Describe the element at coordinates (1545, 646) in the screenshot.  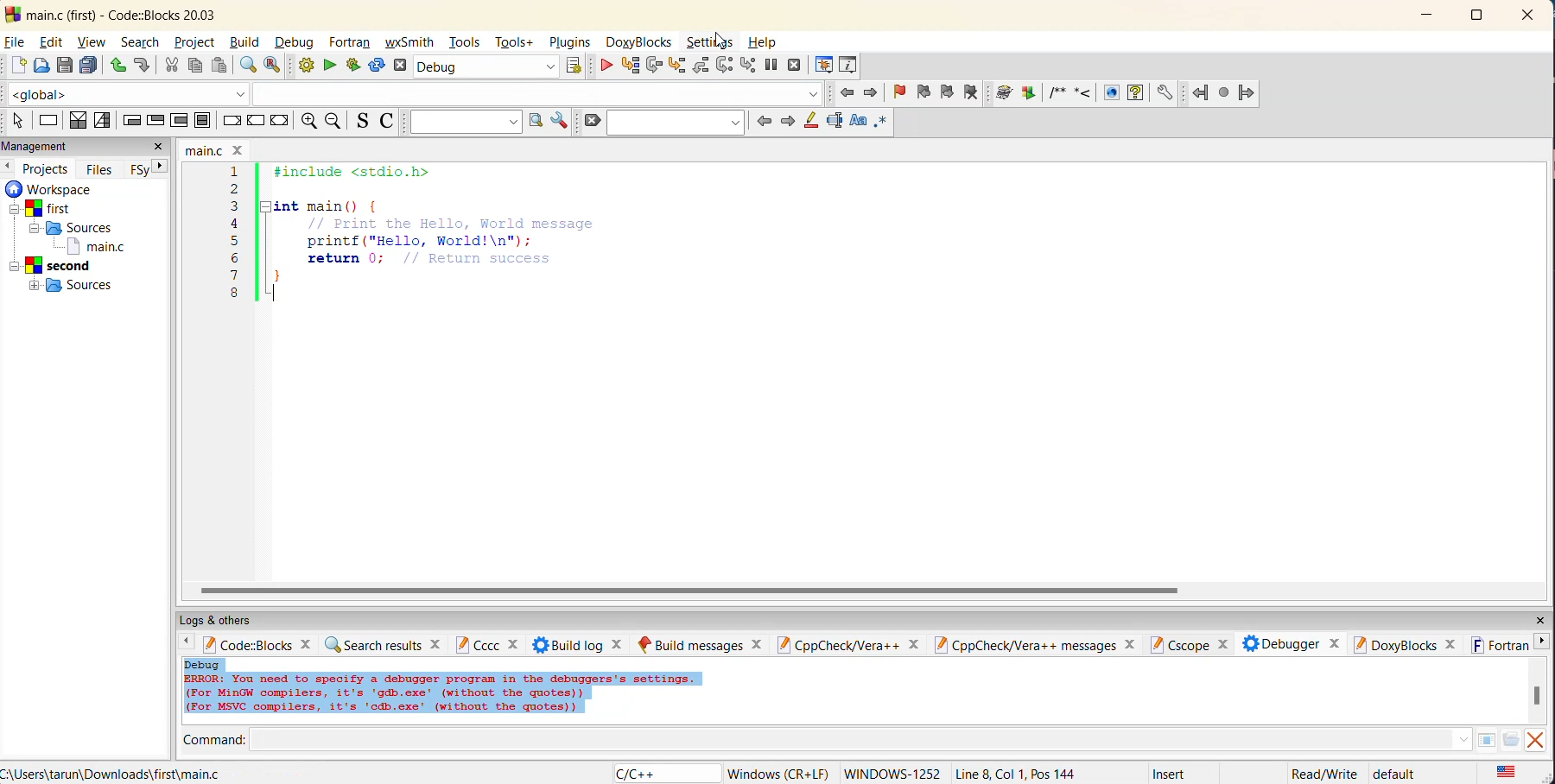
I see `next` at that location.